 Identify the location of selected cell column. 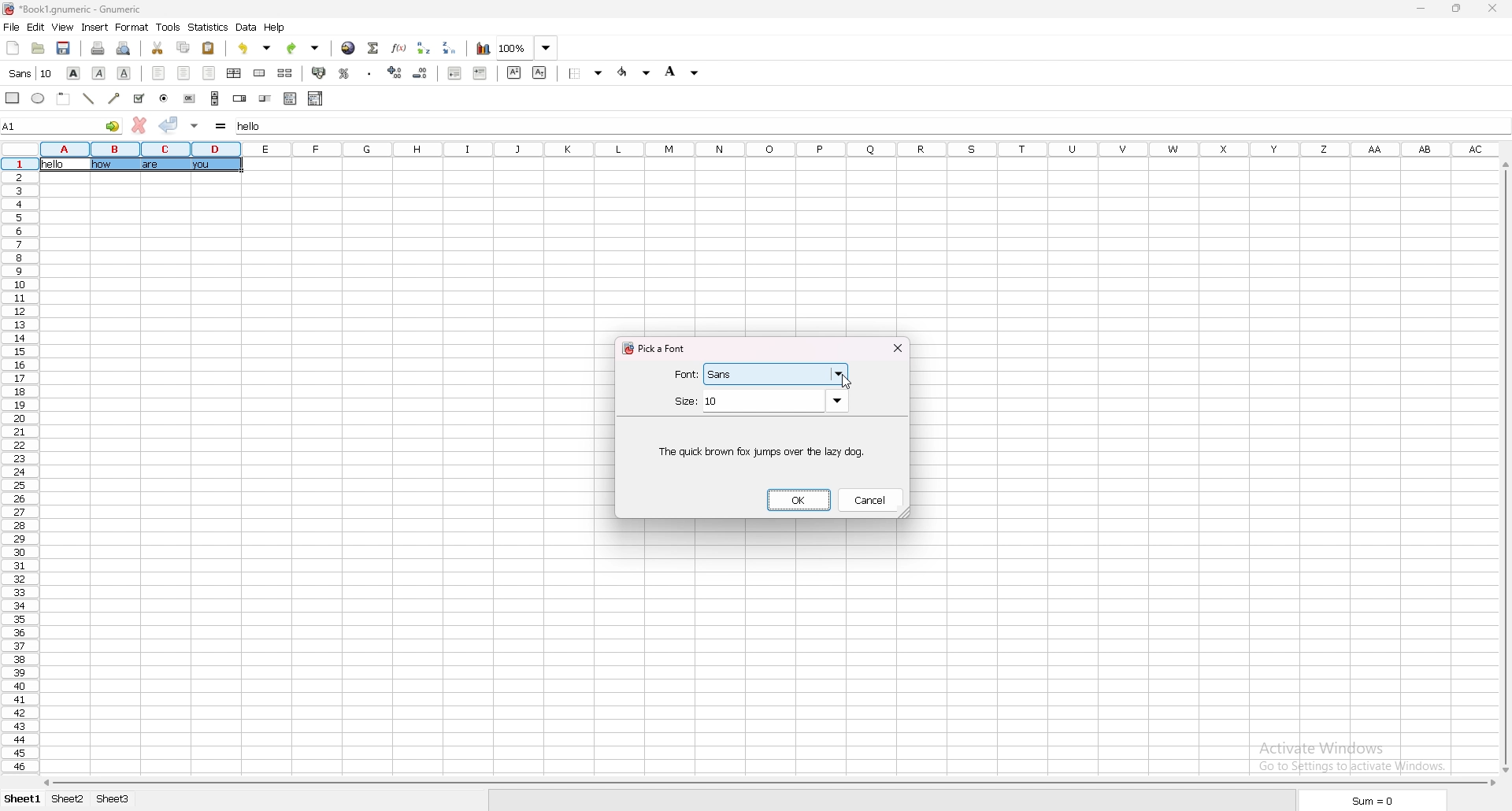
(139, 148).